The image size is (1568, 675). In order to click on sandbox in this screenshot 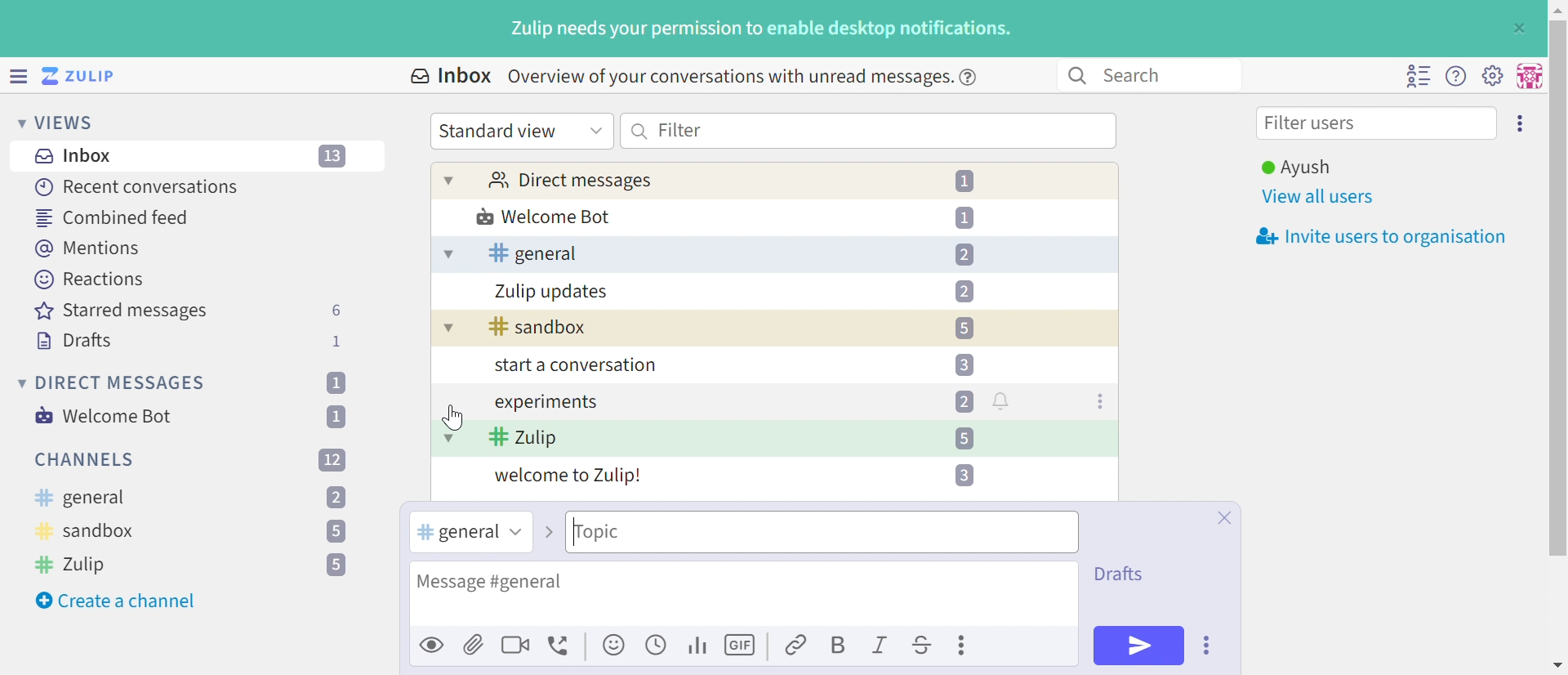, I will do `click(538, 328)`.